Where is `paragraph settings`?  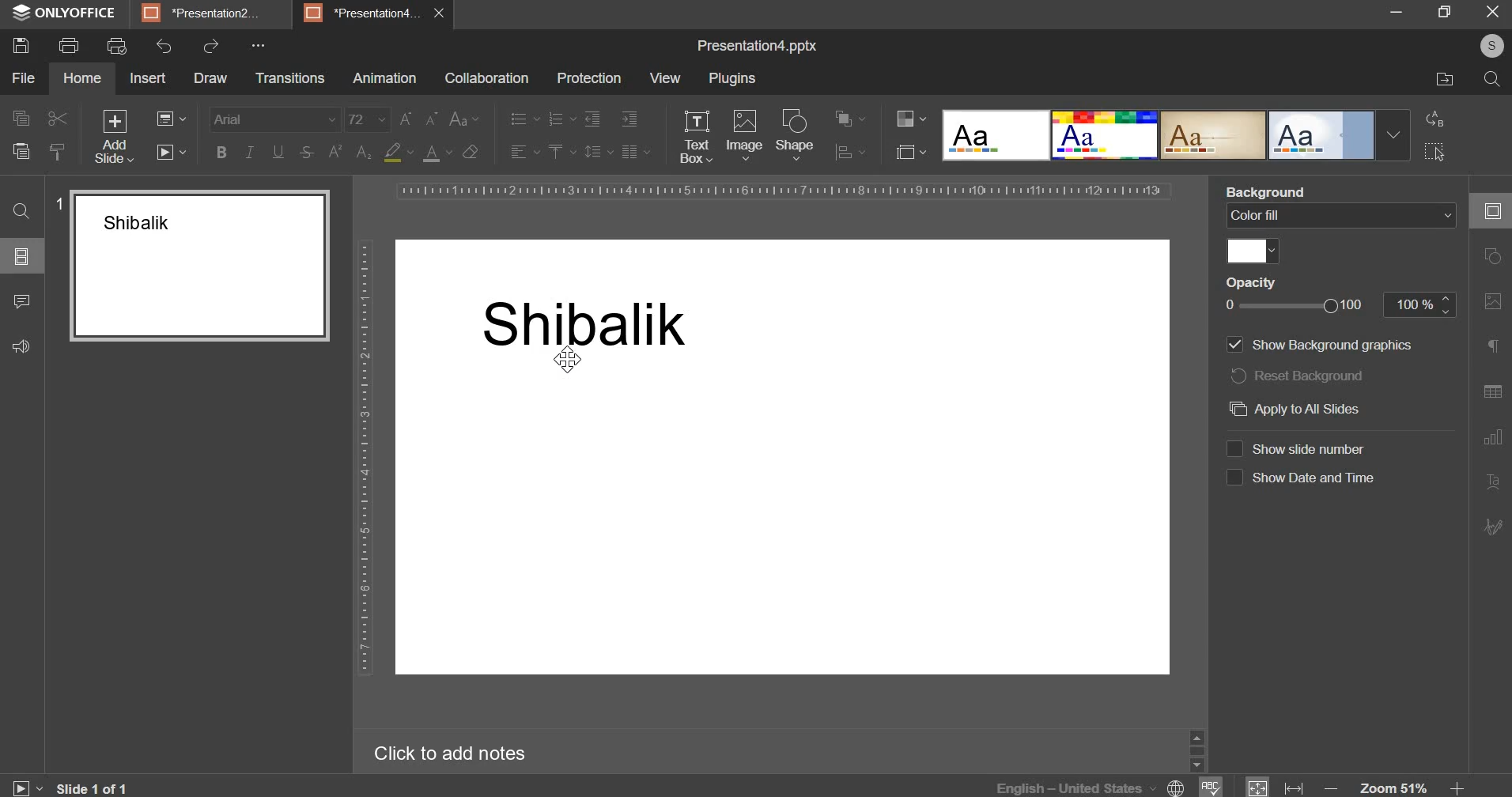 paragraph settings is located at coordinates (634, 152).